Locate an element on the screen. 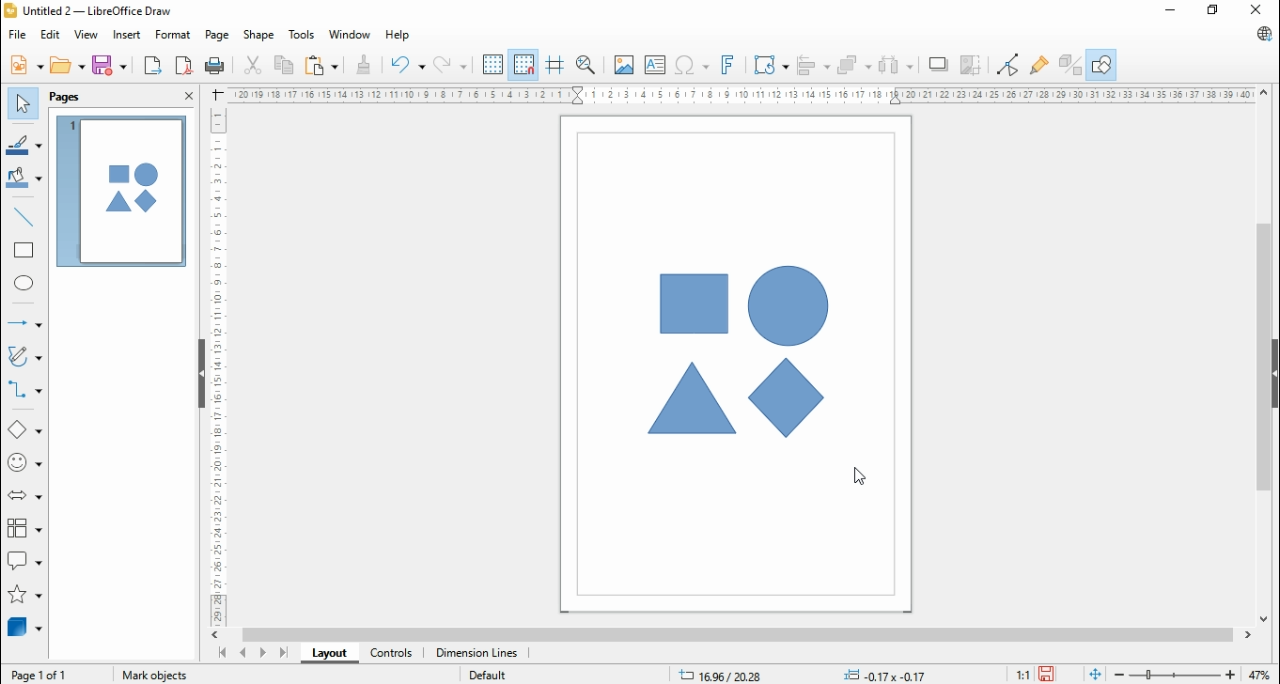  horizontal scale is located at coordinates (744, 94).